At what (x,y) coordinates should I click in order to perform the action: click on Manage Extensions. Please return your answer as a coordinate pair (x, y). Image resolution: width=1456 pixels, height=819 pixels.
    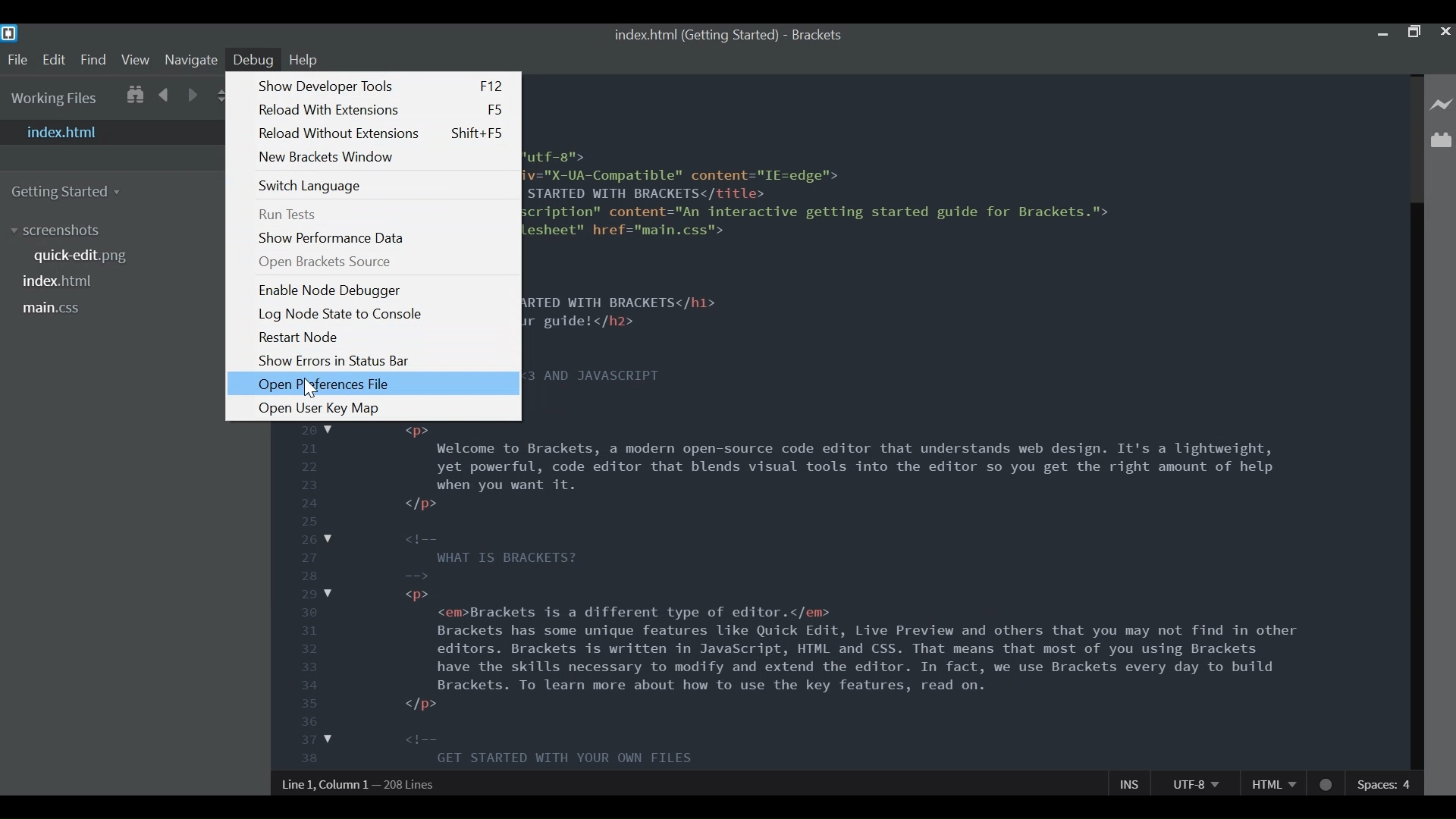
    Looking at the image, I should click on (1441, 139).